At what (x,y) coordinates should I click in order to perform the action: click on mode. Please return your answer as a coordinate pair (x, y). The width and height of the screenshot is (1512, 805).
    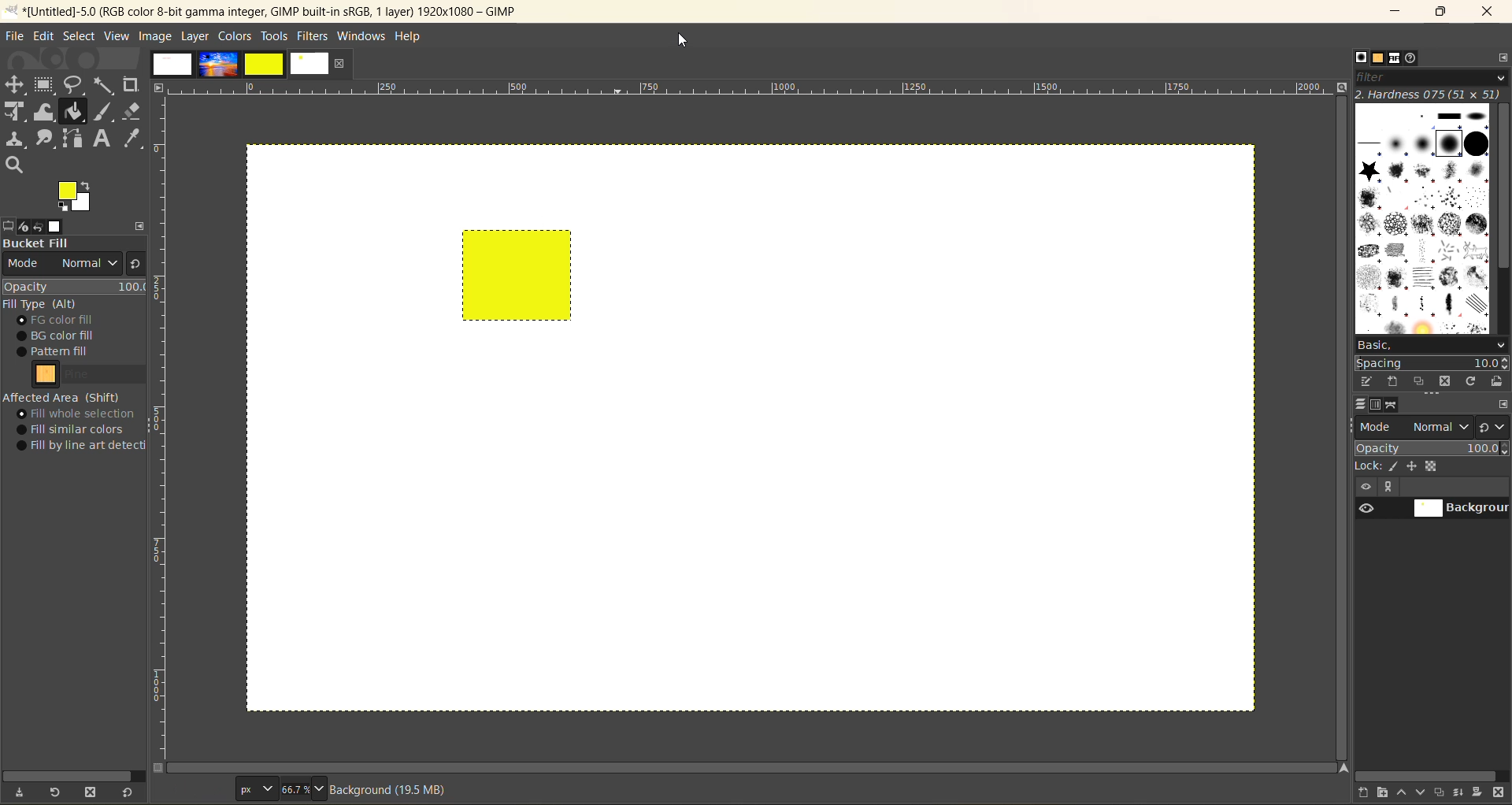
    Looking at the image, I should click on (1415, 427).